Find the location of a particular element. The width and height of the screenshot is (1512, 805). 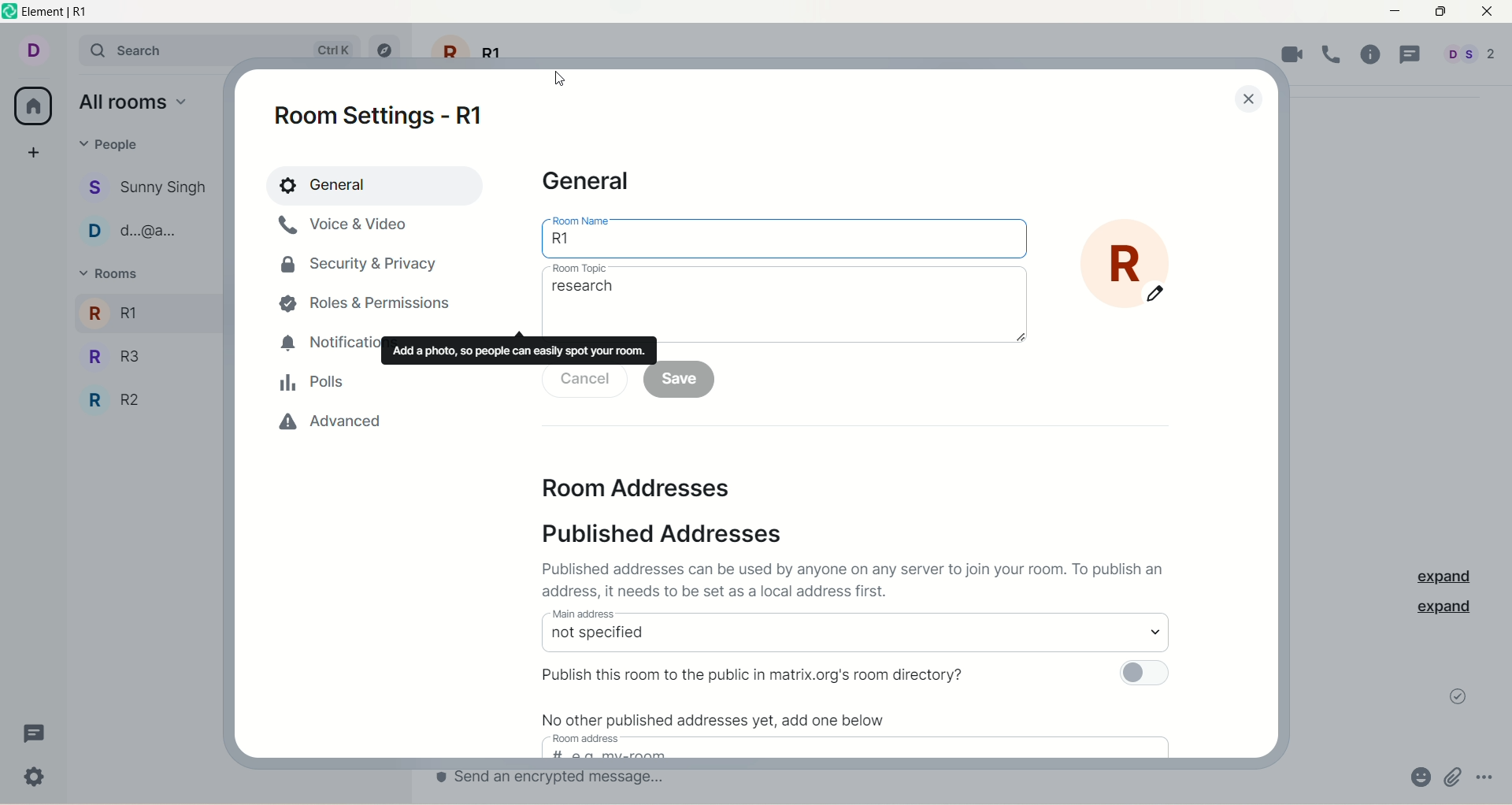

advanced is located at coordinates (327, 423).